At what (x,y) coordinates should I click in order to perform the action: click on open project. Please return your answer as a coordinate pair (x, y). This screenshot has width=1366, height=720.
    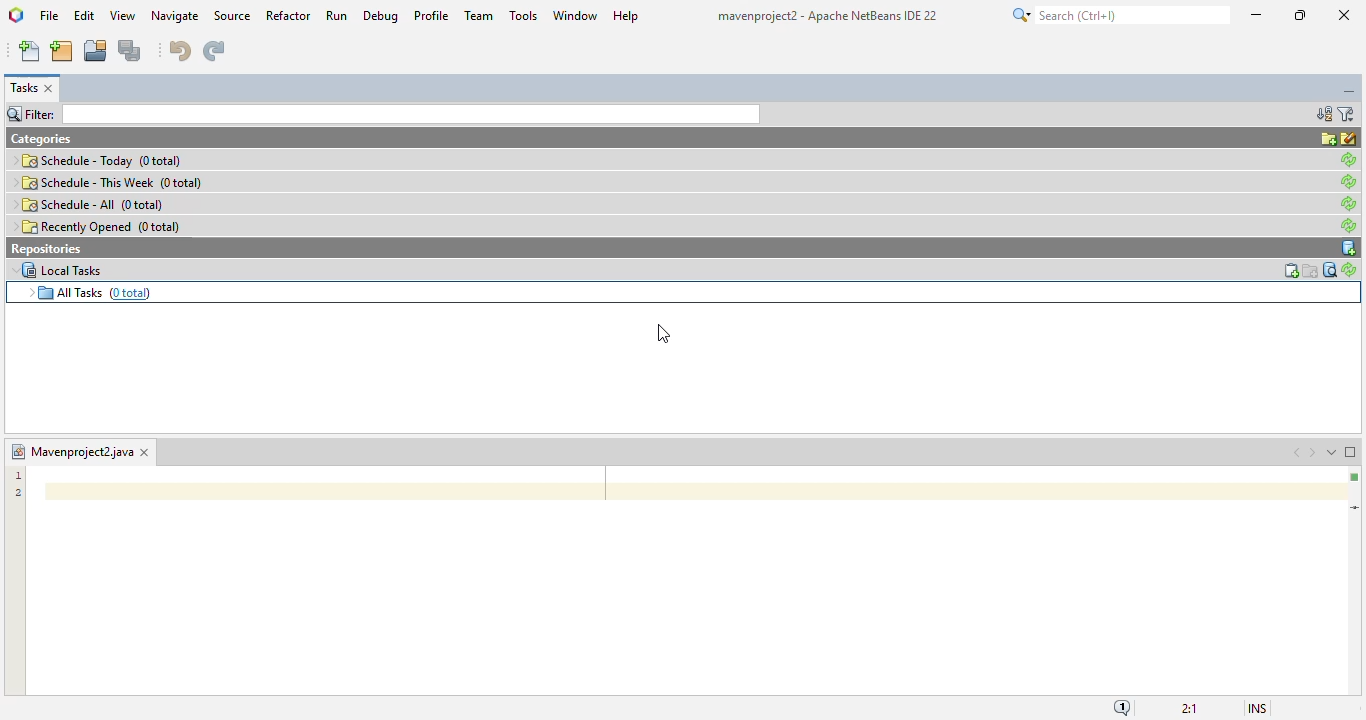
    Looking at the image, I should click on (95, 51).